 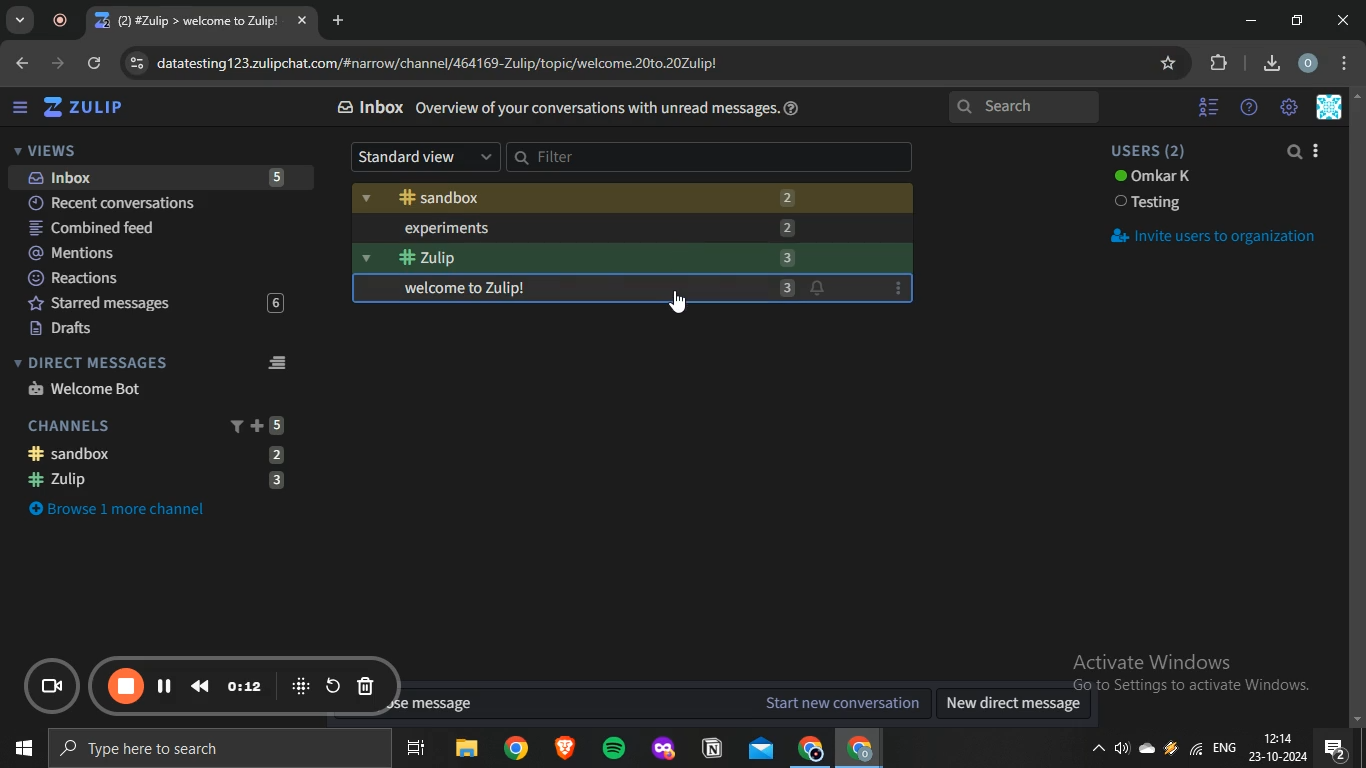 I want to click on sandbox, so click(x=166, y=453).